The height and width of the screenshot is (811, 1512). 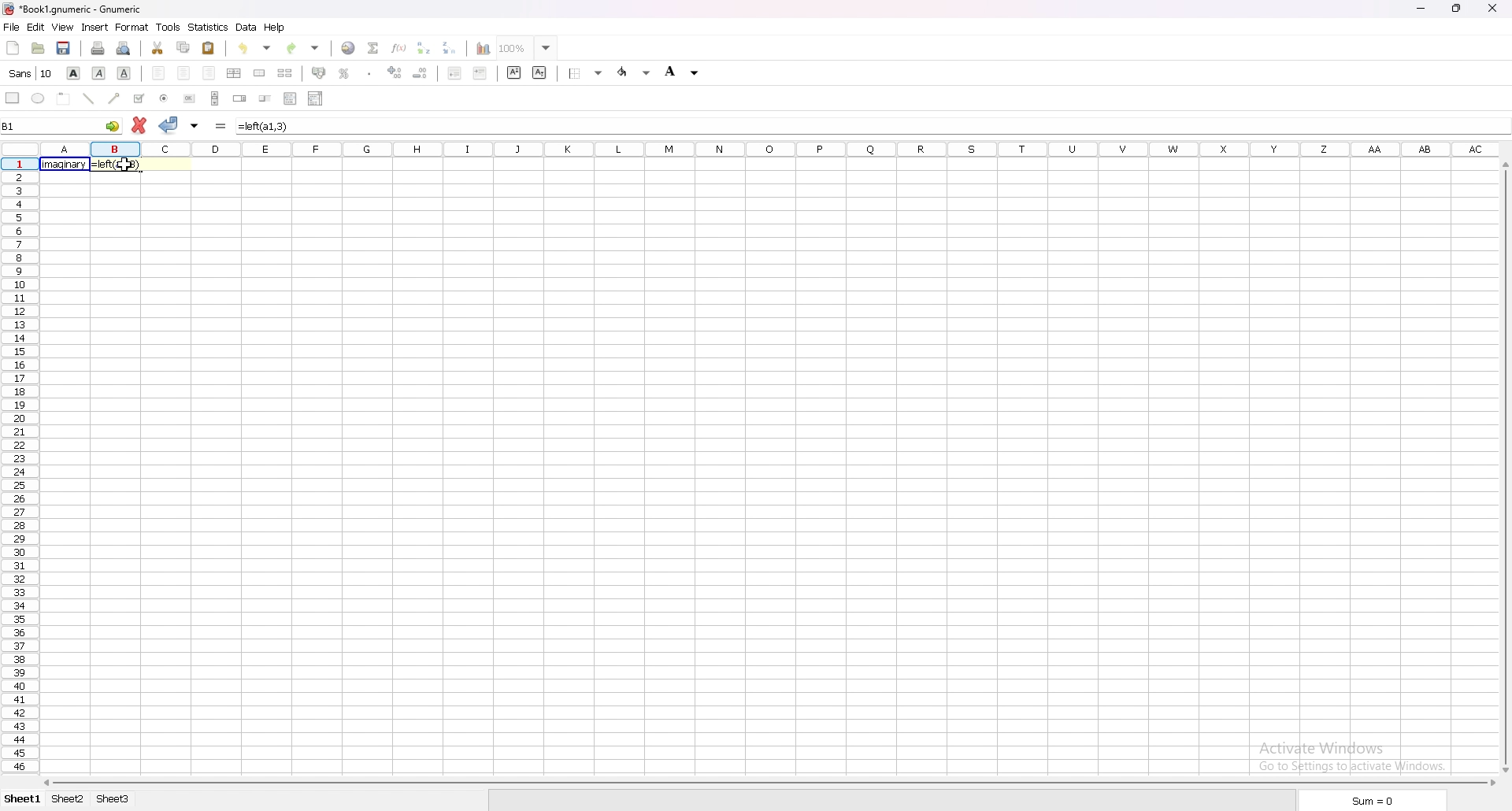 What do you see at coordinates (771, 783) in the screenshot?
I see `scroll bar` at bounding box center [771, 783].